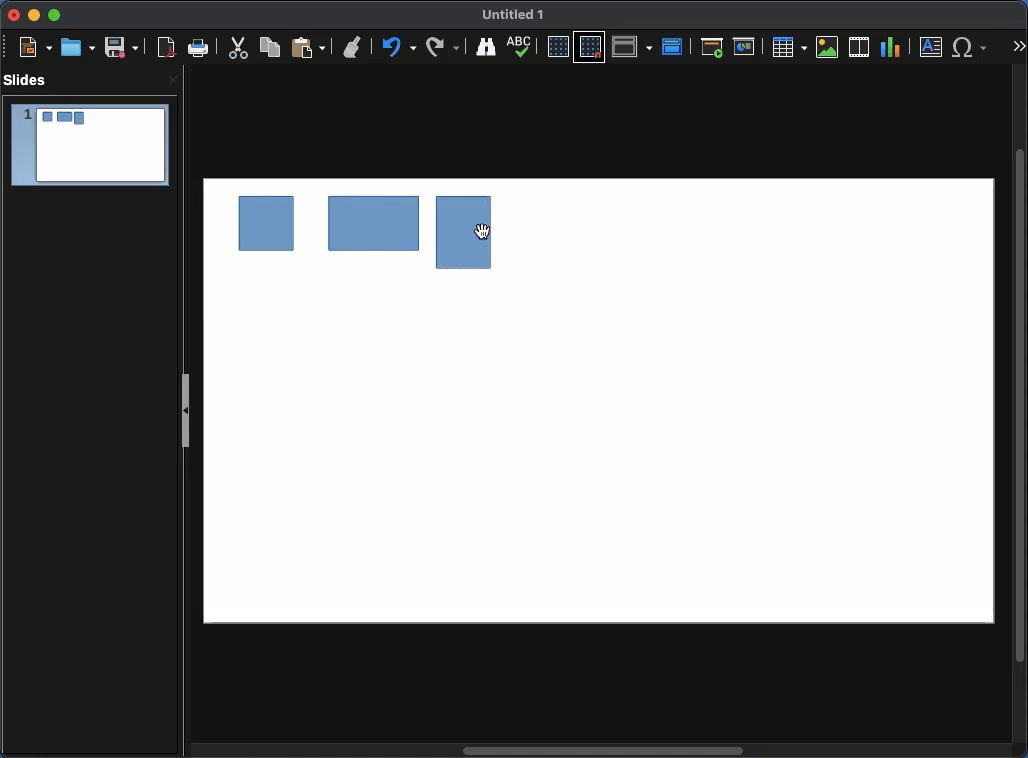 This screenshot has height=758, width=1028. I want to click on Maximize, so click(56, 15).